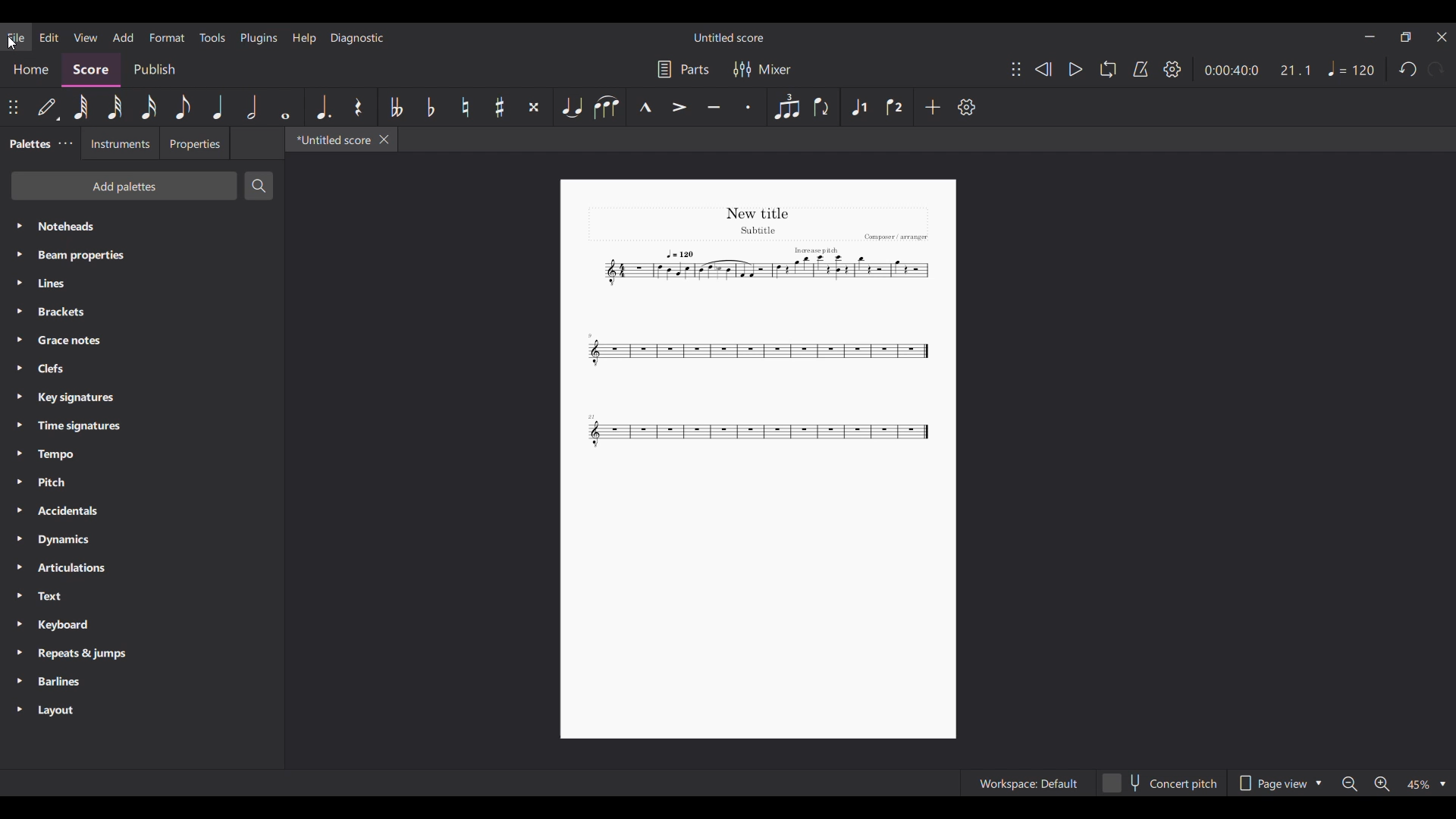 This screenshot has width=1456, height=819. What do you see at coordinates (932, 107) in the screenshot?
I see `Add` at bounding box center [932, 107].